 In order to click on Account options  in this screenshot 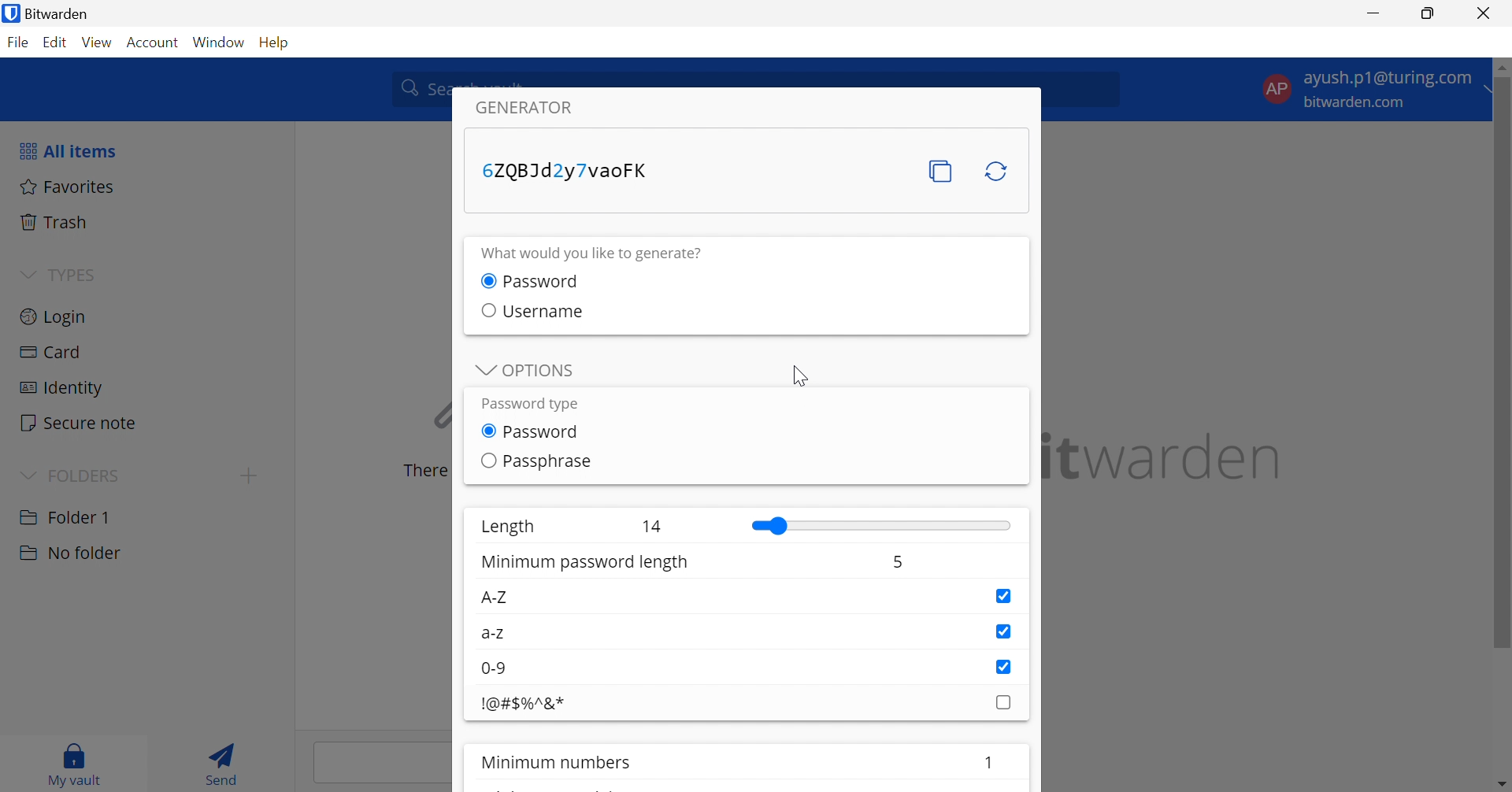, I will do `click(1369, 90)`.